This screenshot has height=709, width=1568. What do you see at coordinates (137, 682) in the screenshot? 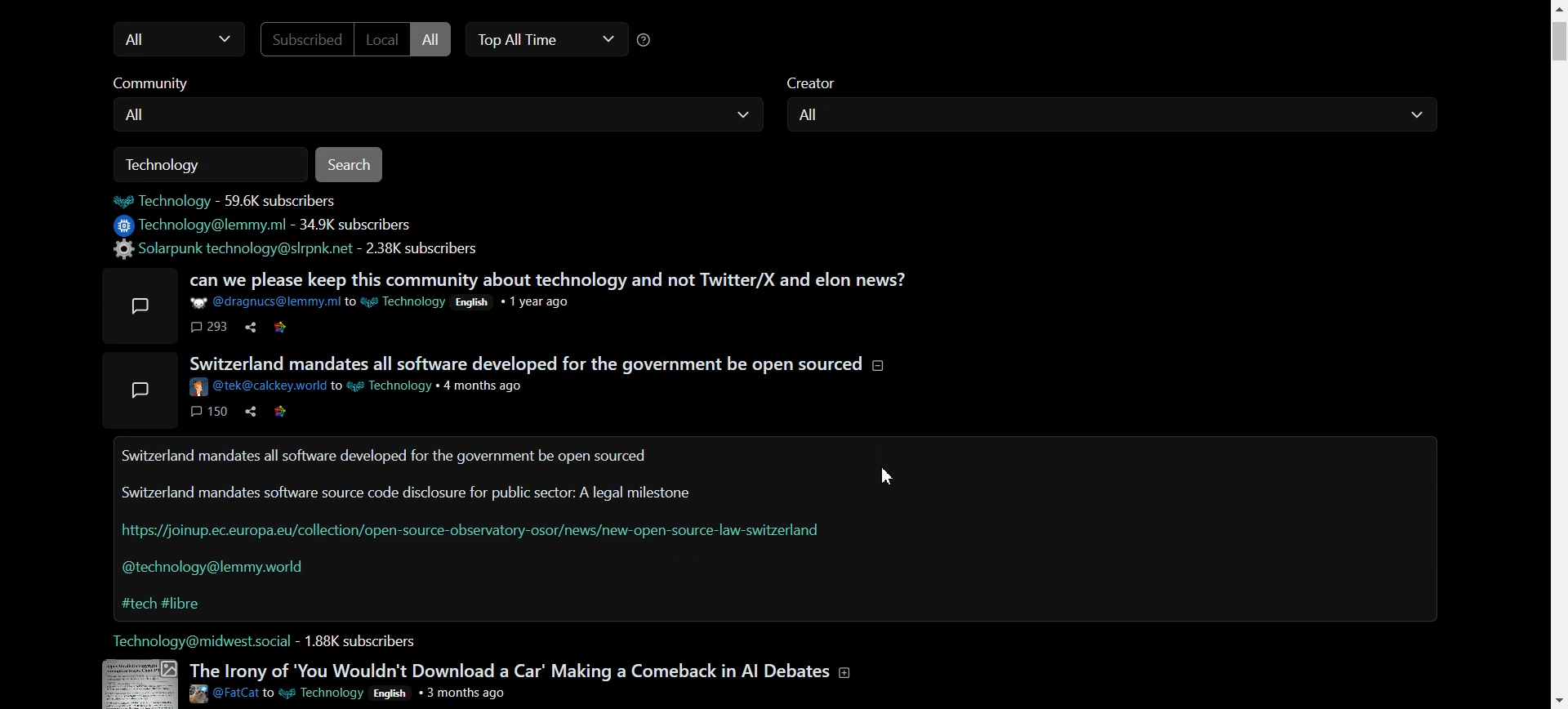
I see `Expand here` at bounding box center [137, 682].